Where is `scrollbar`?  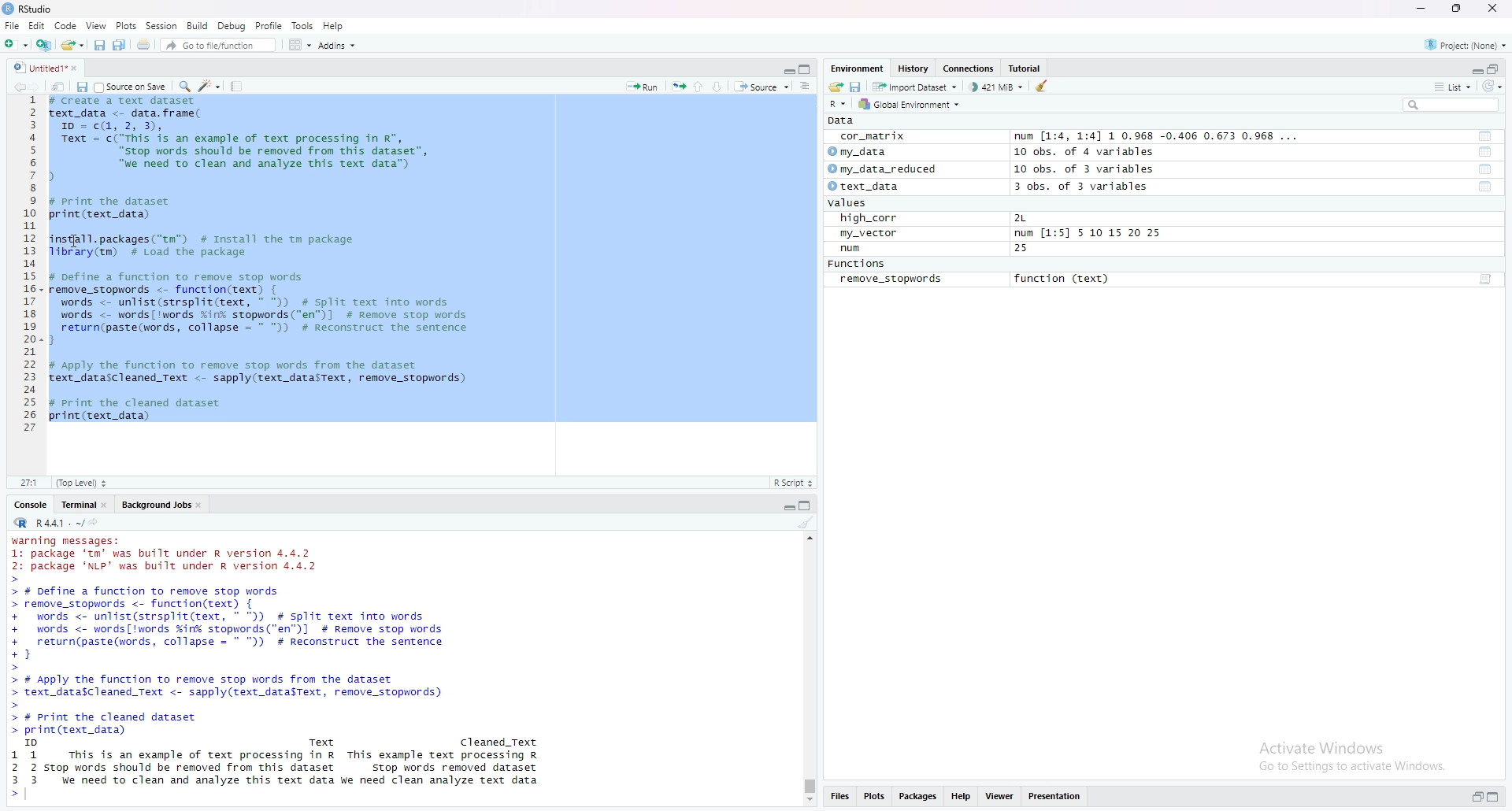
scrollbar is located at coordinates (807, 670).